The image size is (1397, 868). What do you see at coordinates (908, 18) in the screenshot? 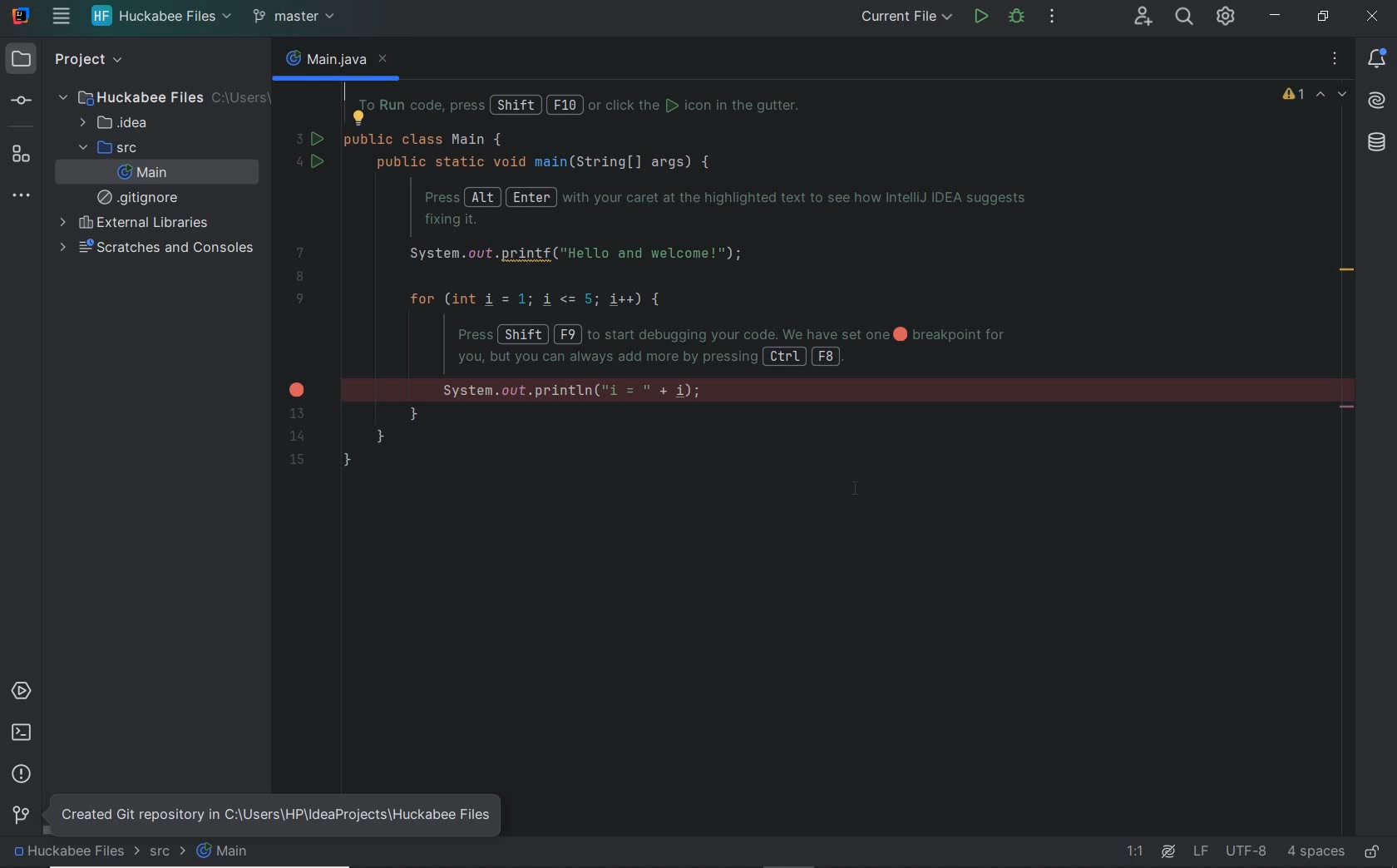
I see `run/debug configurations: current file` at bounding box center [908, 18].